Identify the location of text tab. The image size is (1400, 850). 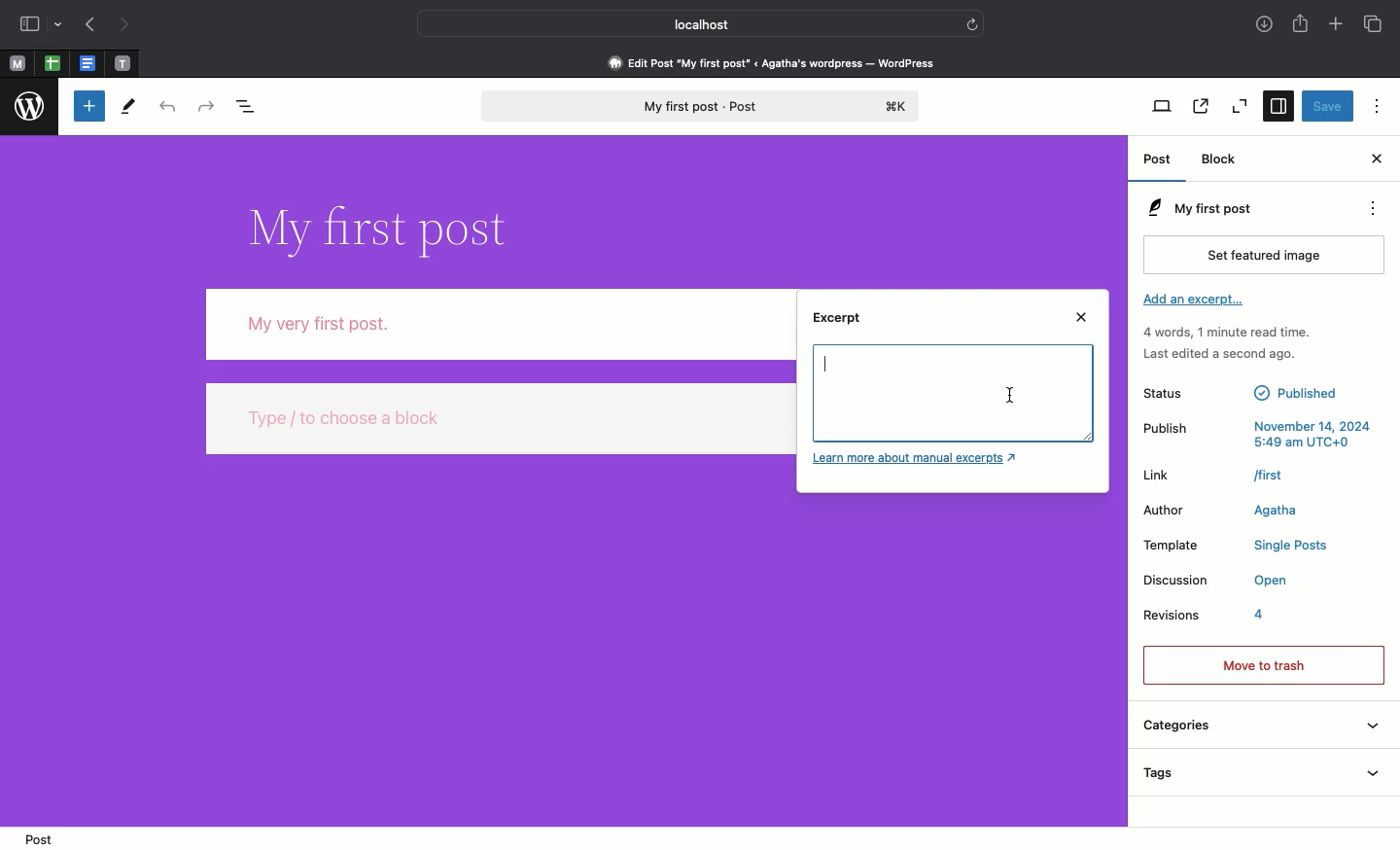
(122, 59).